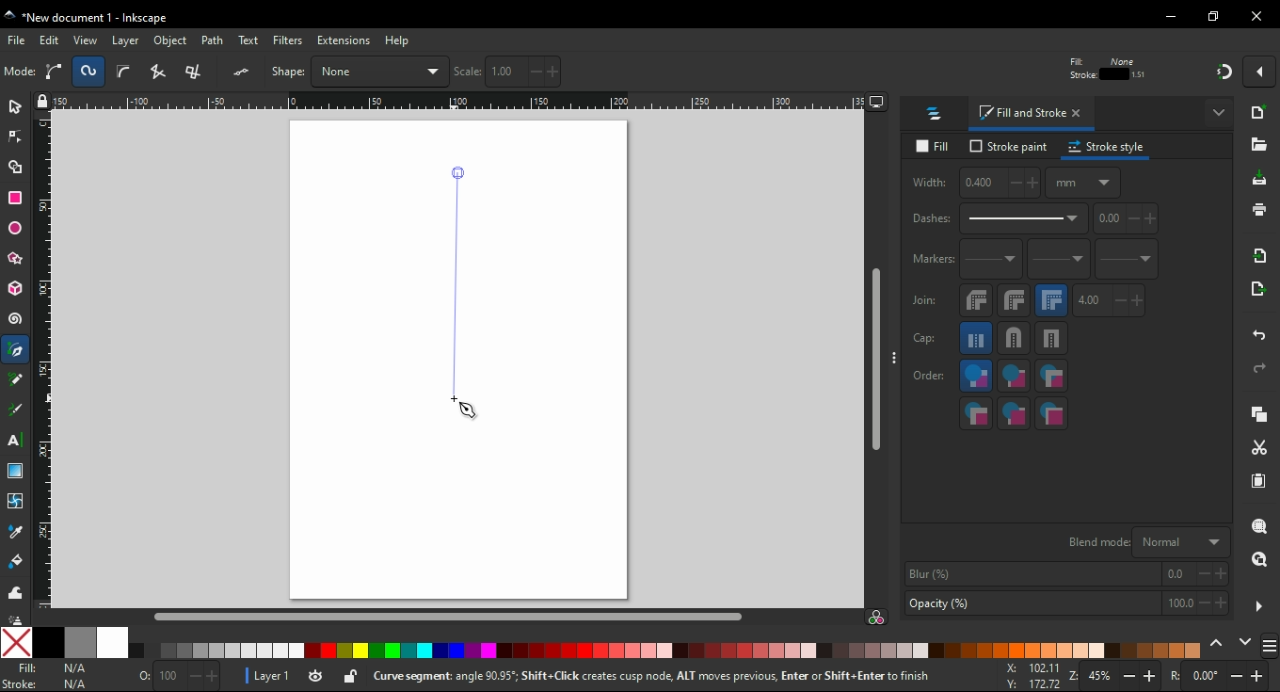  Describe the element at coordinates (1261, 112) in the screenshot. I see `new` at that location.